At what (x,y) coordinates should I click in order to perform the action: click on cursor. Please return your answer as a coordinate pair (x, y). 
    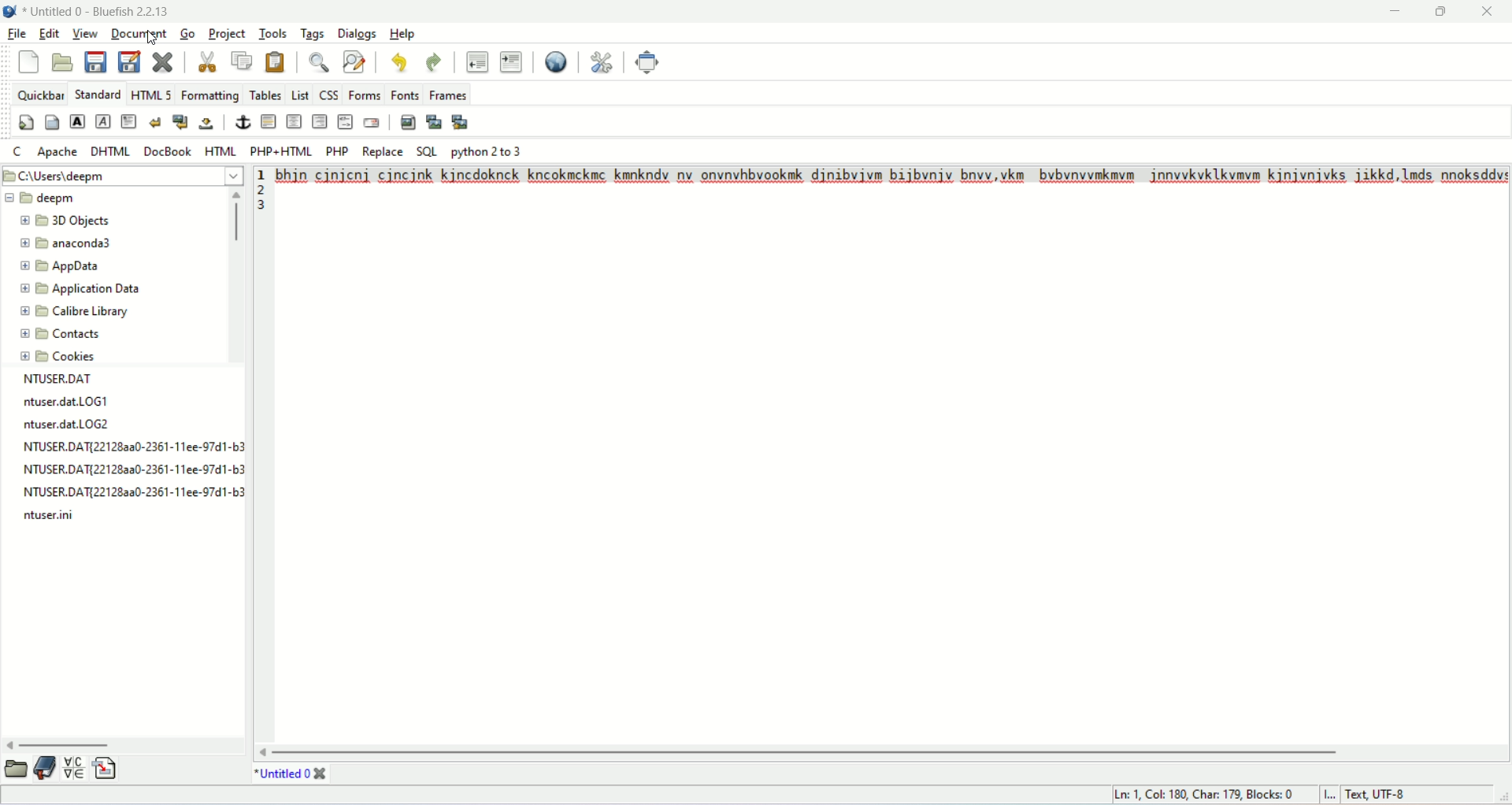
    Looking at the image, I should click on (148, 46).